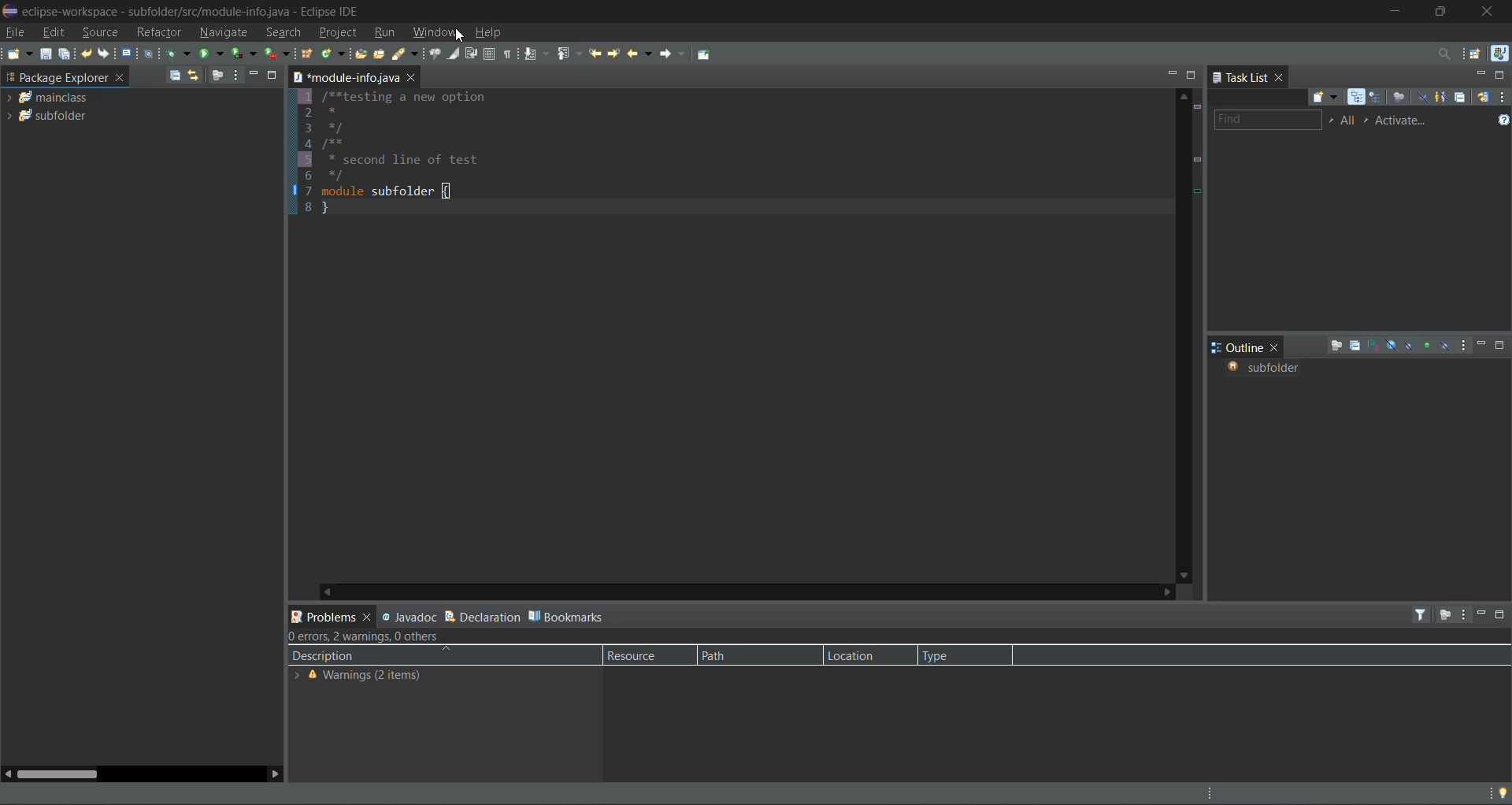  Describe the element at coordinates (1466, 615) in the screenshot. I see `view menu` at that location.